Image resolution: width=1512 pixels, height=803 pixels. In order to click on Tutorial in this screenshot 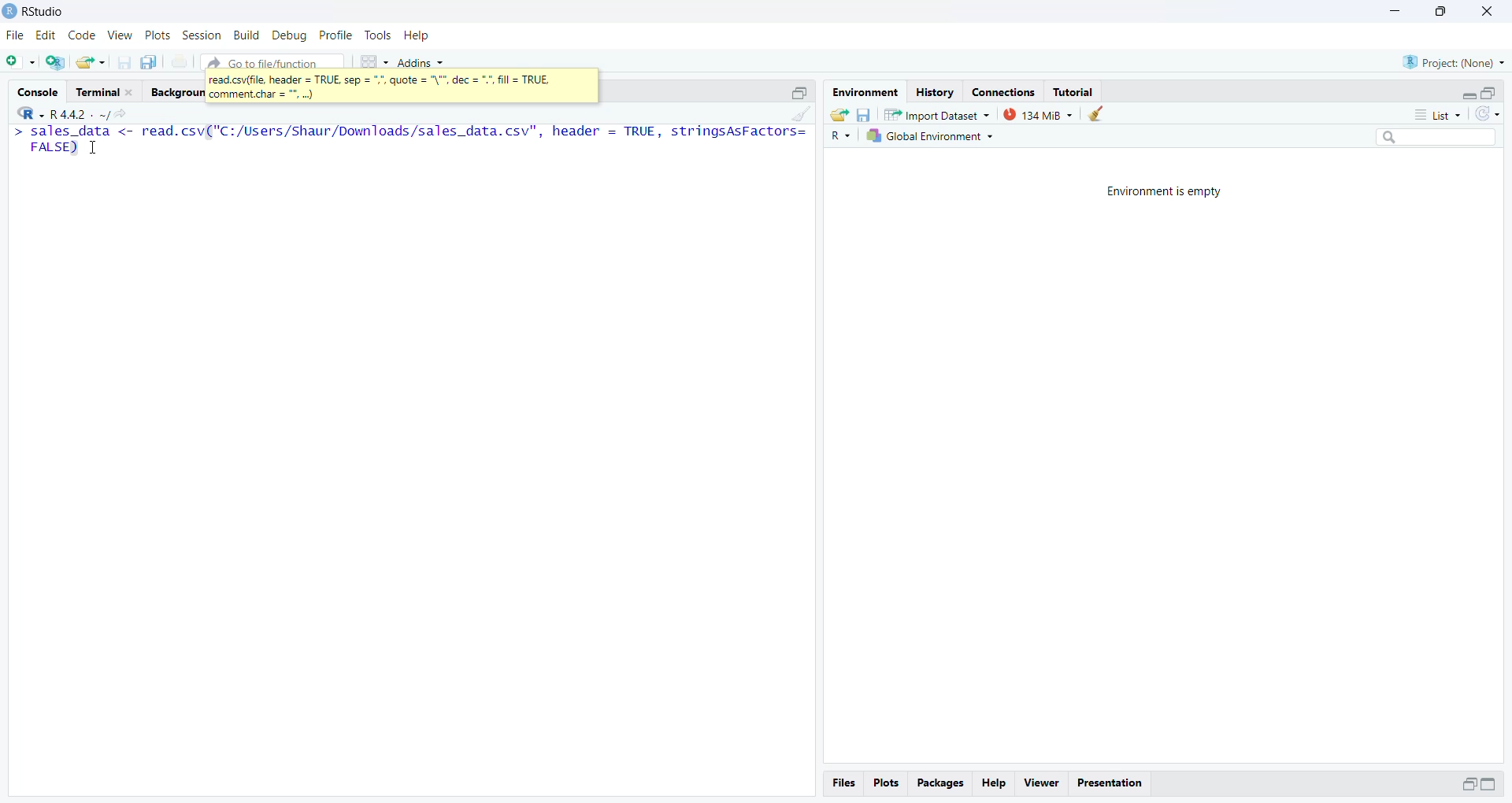, I will do `click(1072, 92)`.